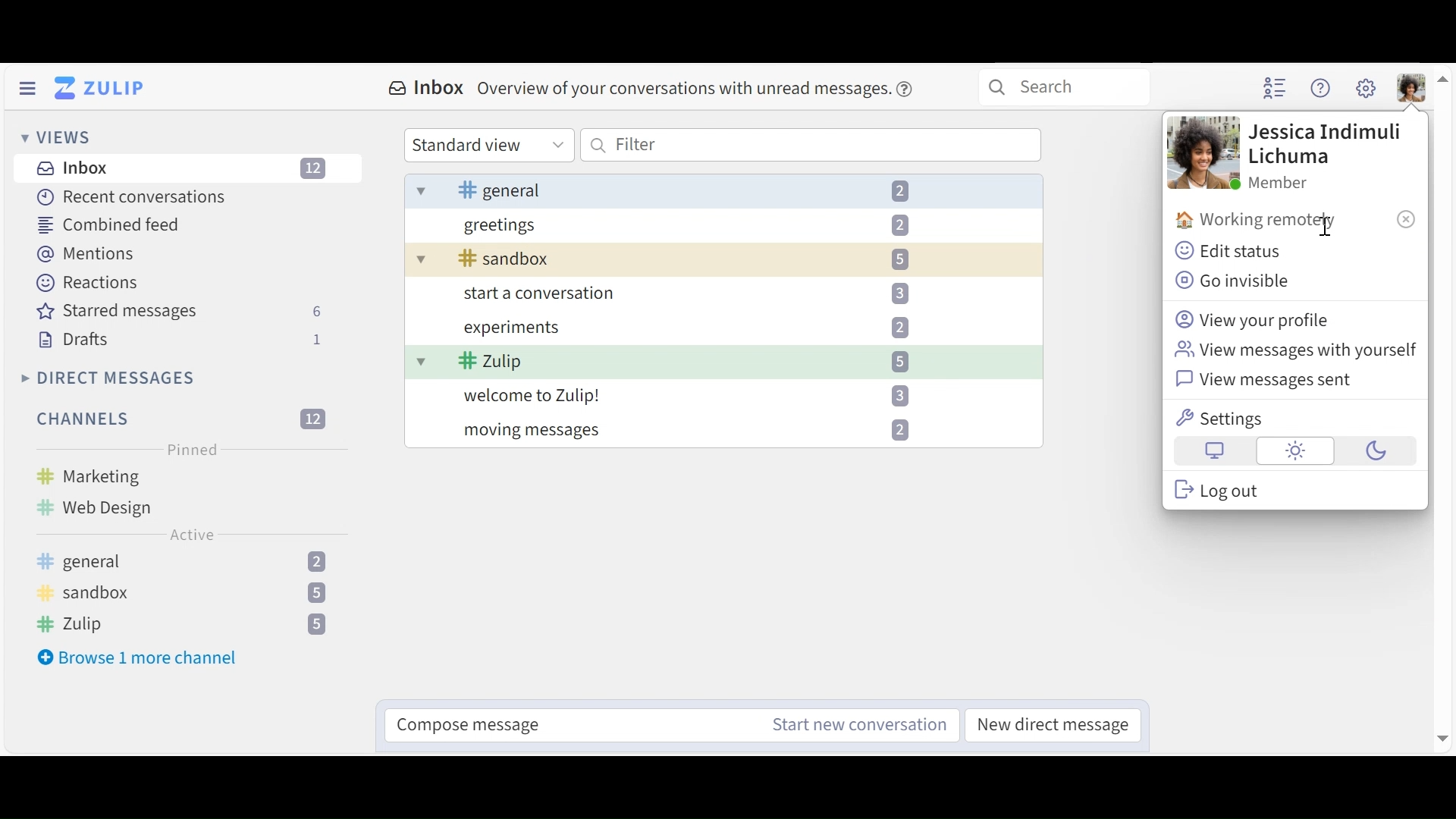 The width and height of the screenshot is (1456, 819). I want to click on Hide user list, so click(1276, 87).